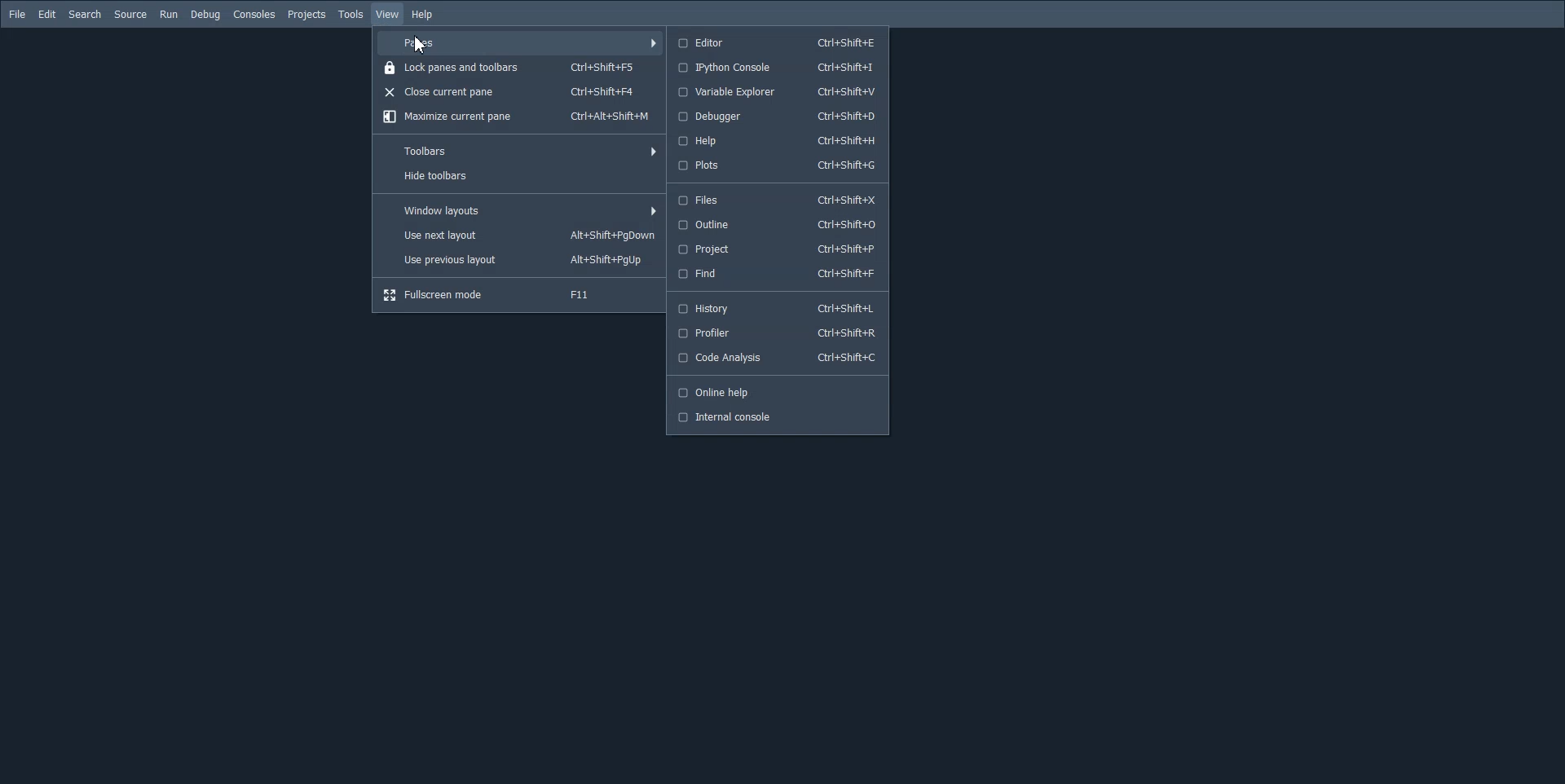  Describe the element at coordinates (778, 68) in the screenshot. I see `Ipython console` at that location.